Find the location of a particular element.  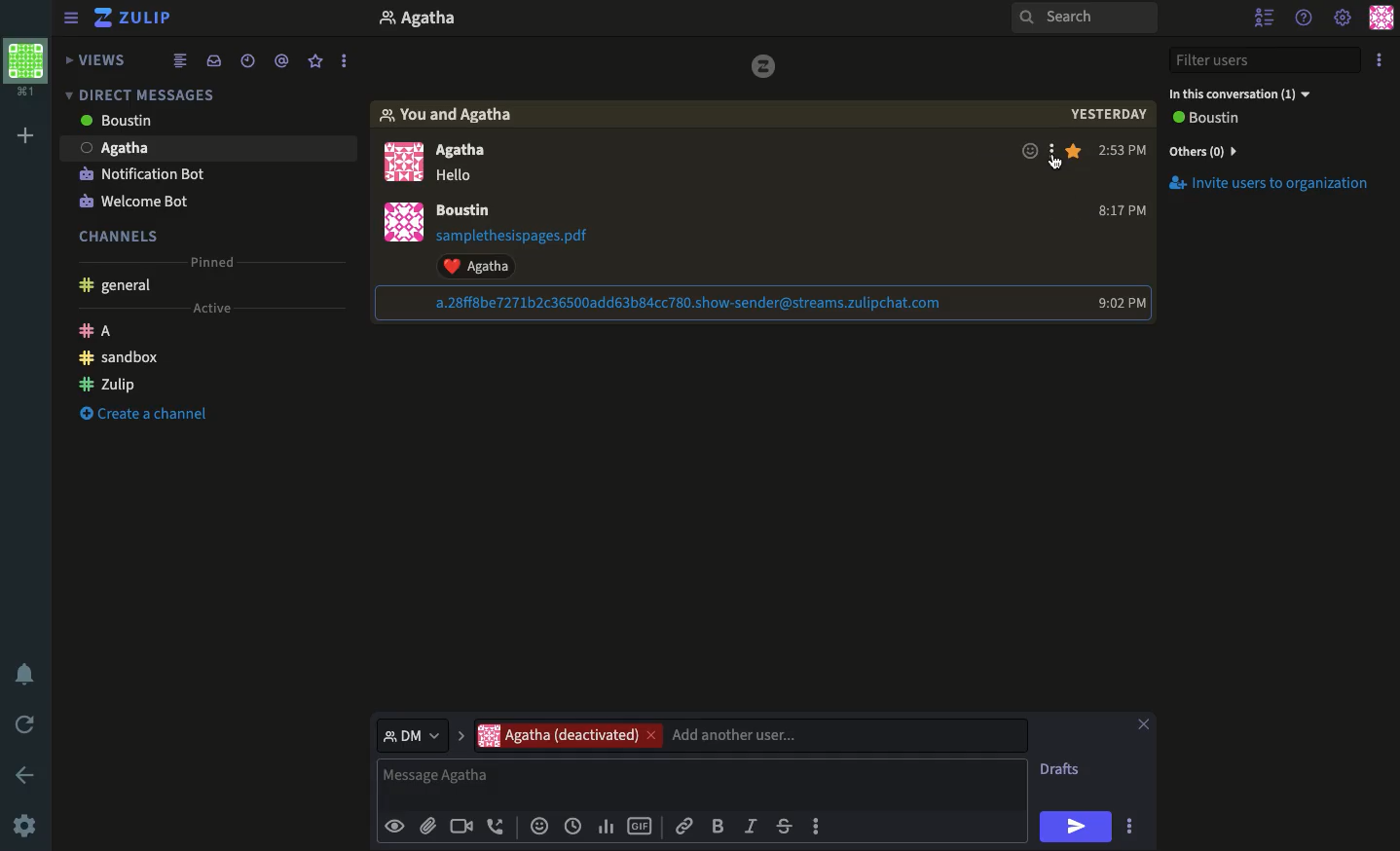

PDF attachment is located at coordinates (692, 304).